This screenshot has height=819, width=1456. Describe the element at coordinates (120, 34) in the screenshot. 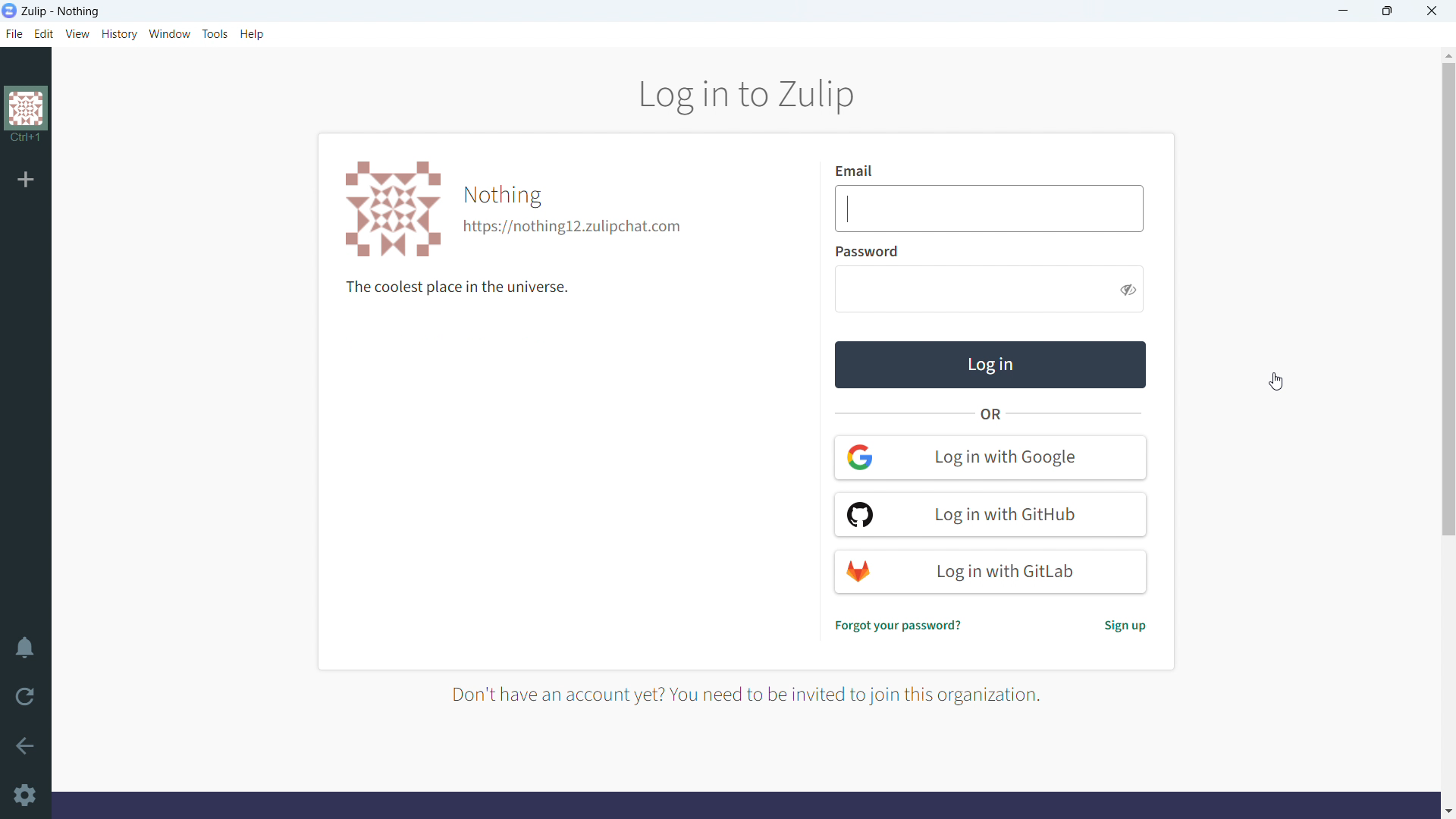

I see `history` at that location.